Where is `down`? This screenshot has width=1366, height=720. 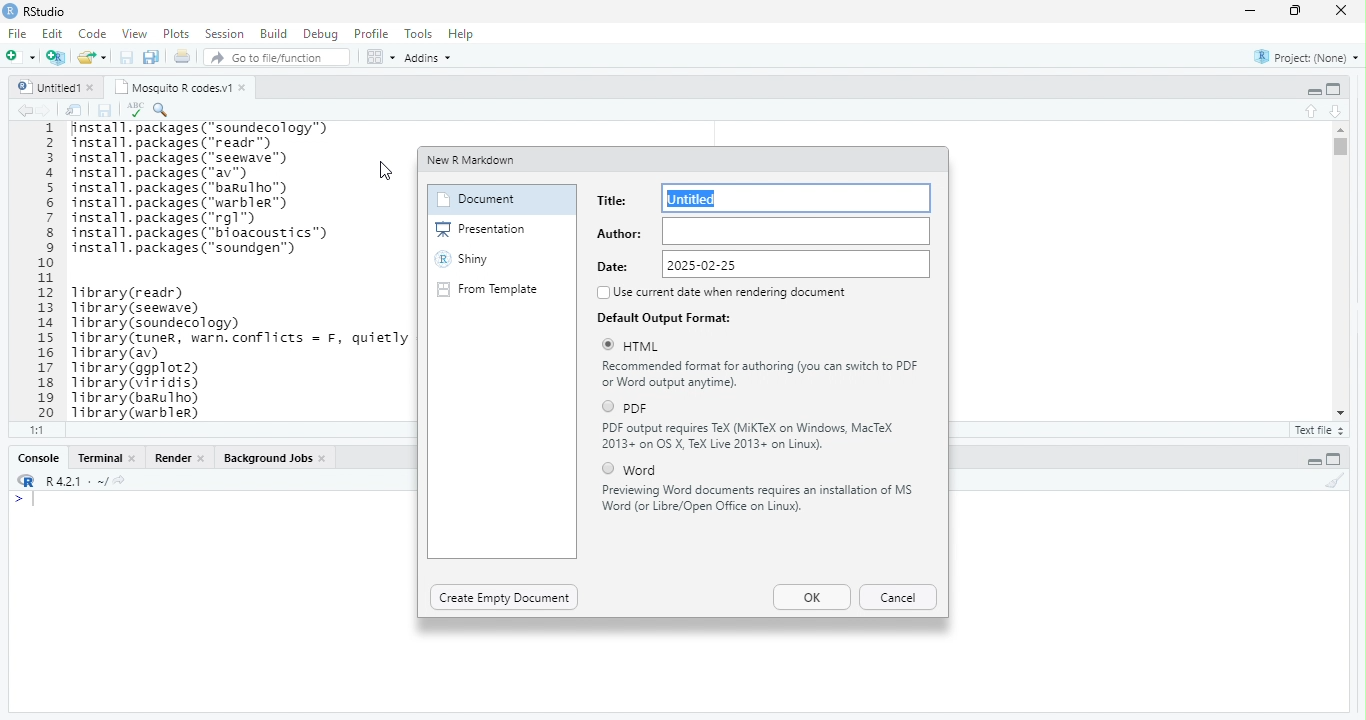
down is located at coordinates (1337, 112).